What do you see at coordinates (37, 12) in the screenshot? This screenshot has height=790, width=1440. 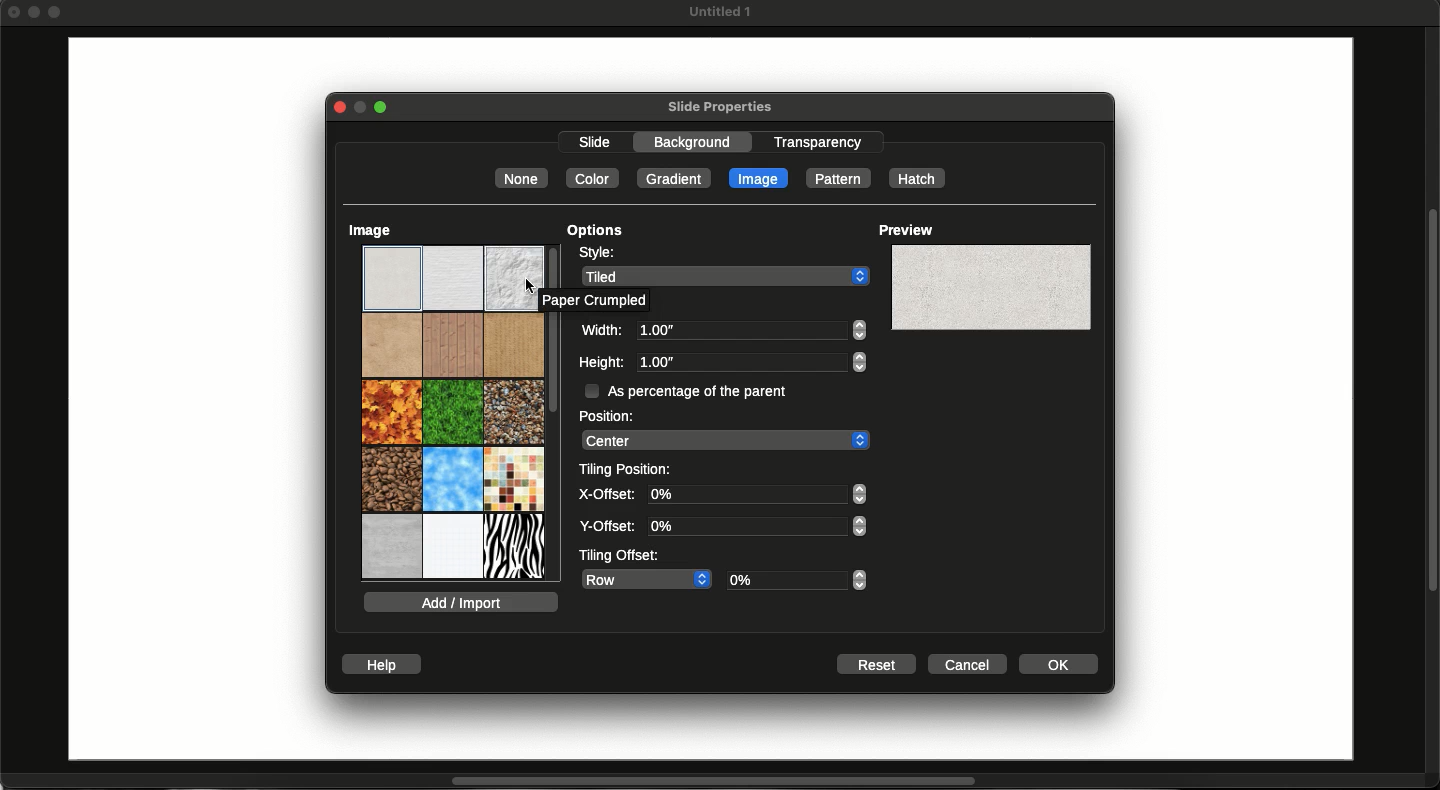 I see `Minimize` at bounding box center [37, 12].